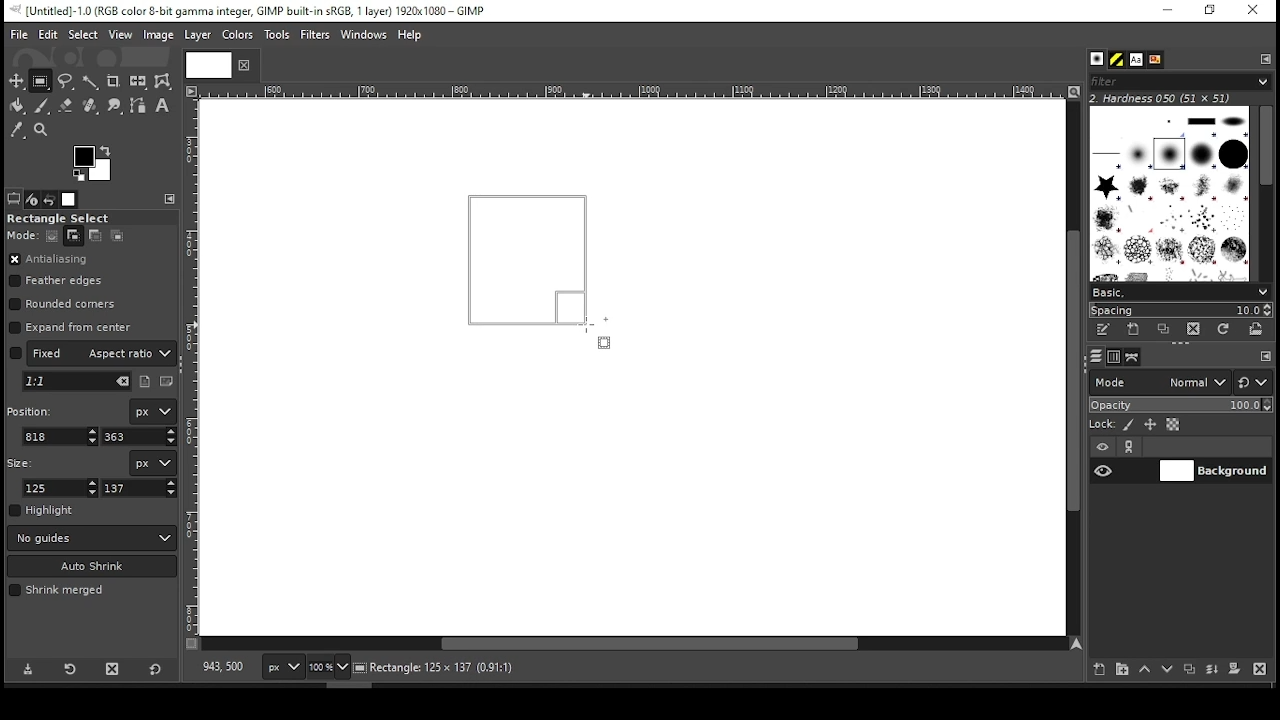  I want to click on scroll bar, so click(1071, 367).